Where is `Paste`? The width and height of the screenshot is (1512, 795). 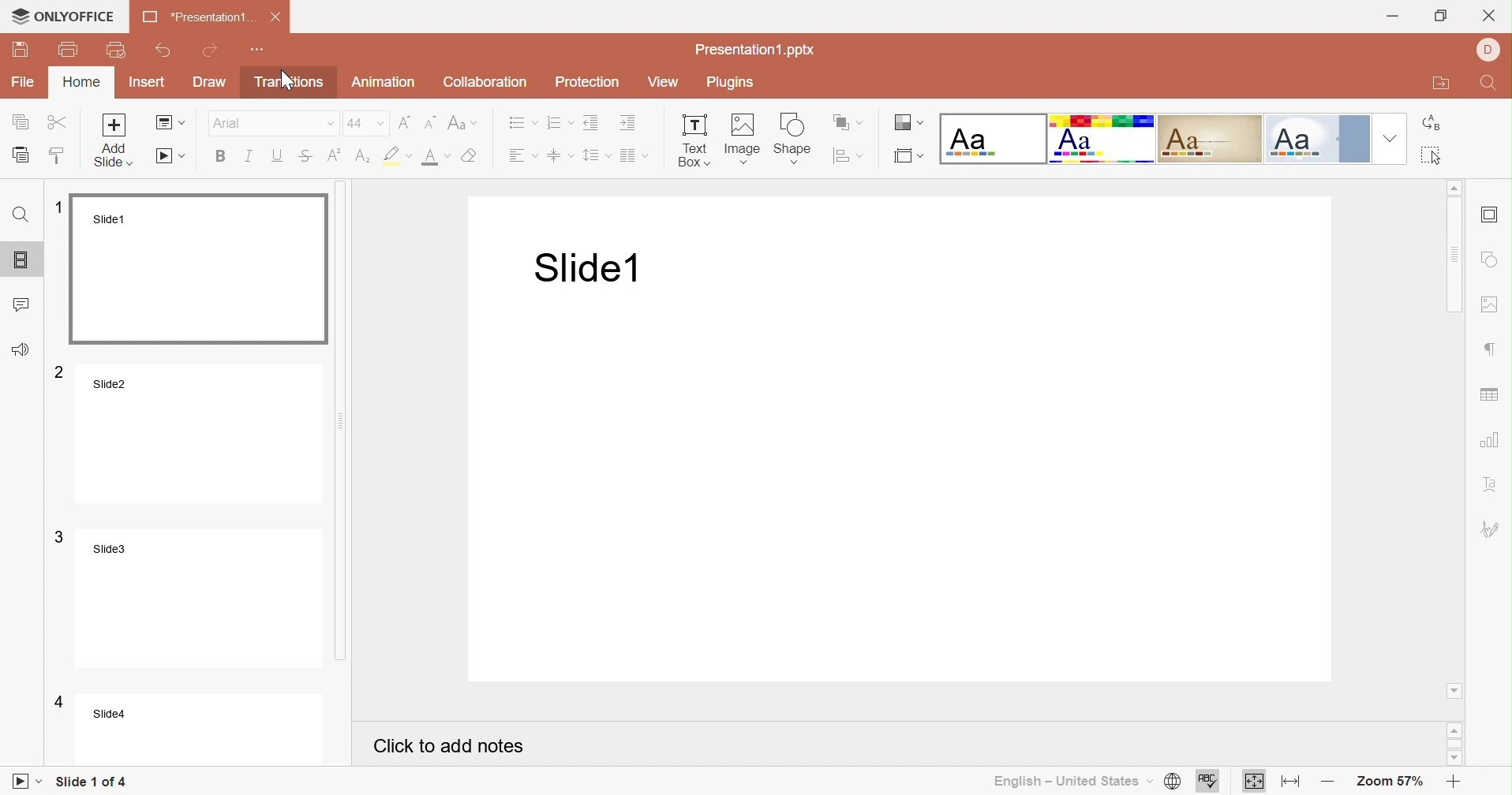
Paste is located at coordinates (23, 155).